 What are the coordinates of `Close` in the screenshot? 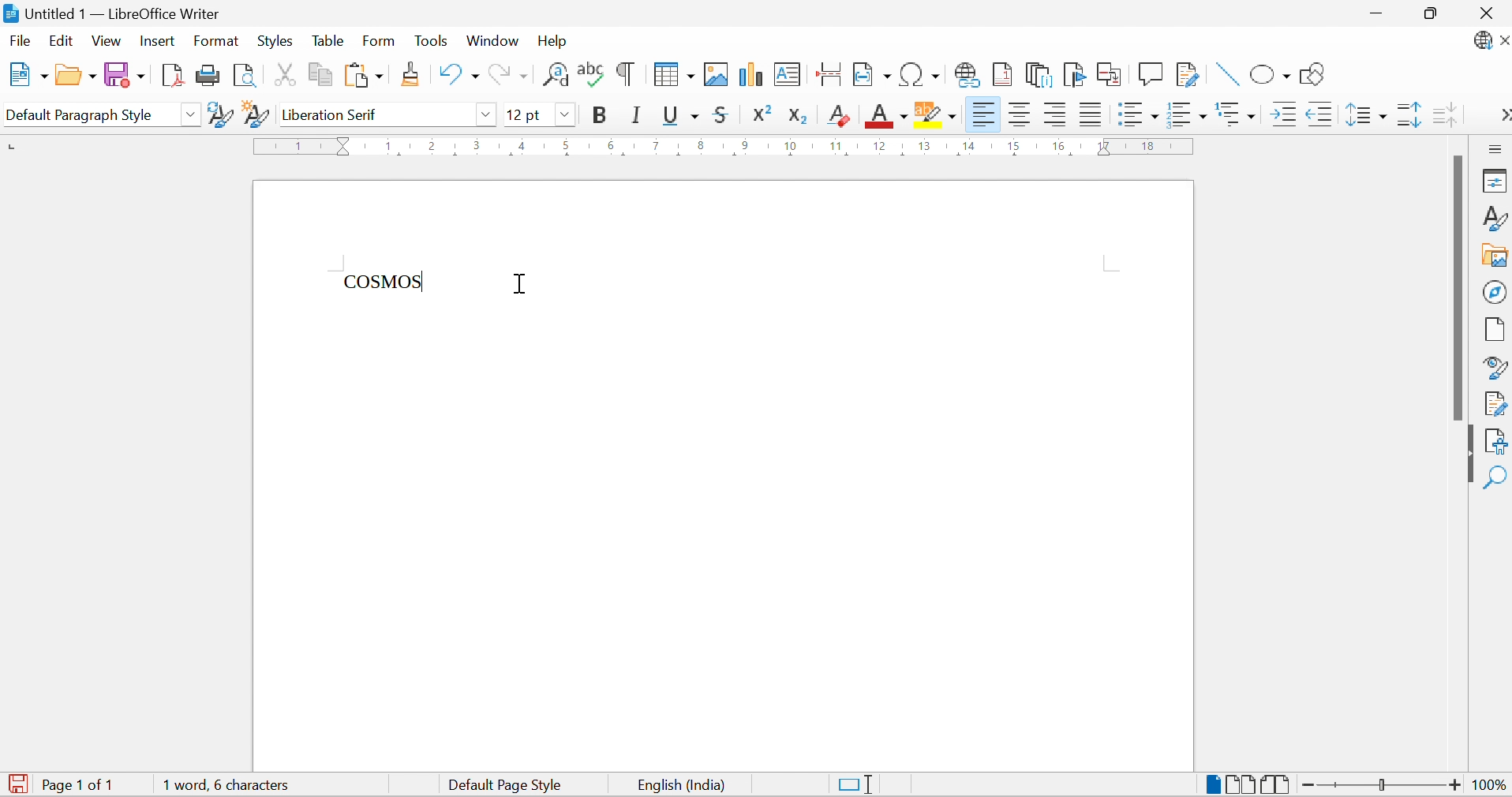 It's located at (1485, 12).